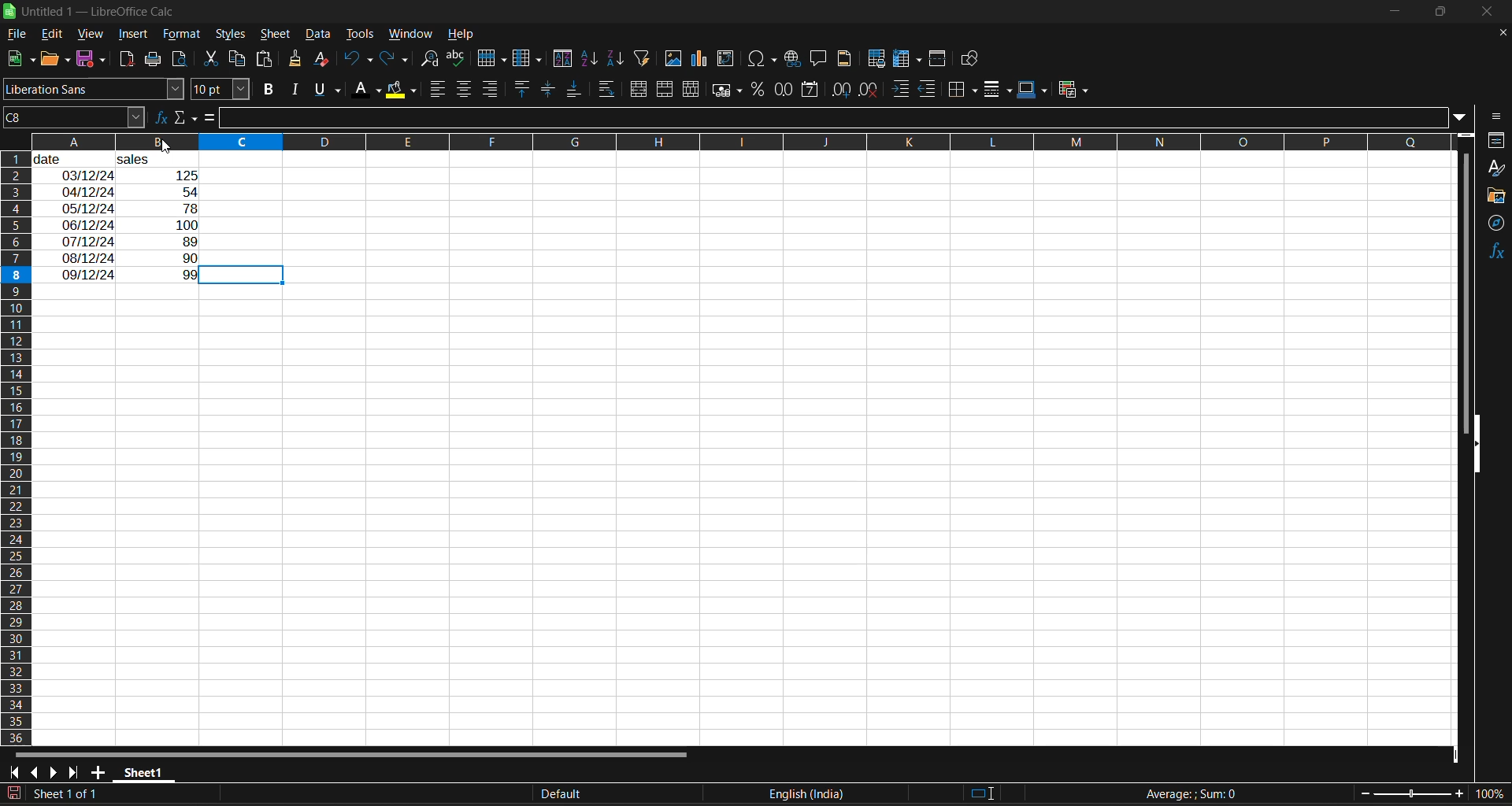 This screenshot has width=1512, height=806. I want to click on sort ascending, so click(593, 59).